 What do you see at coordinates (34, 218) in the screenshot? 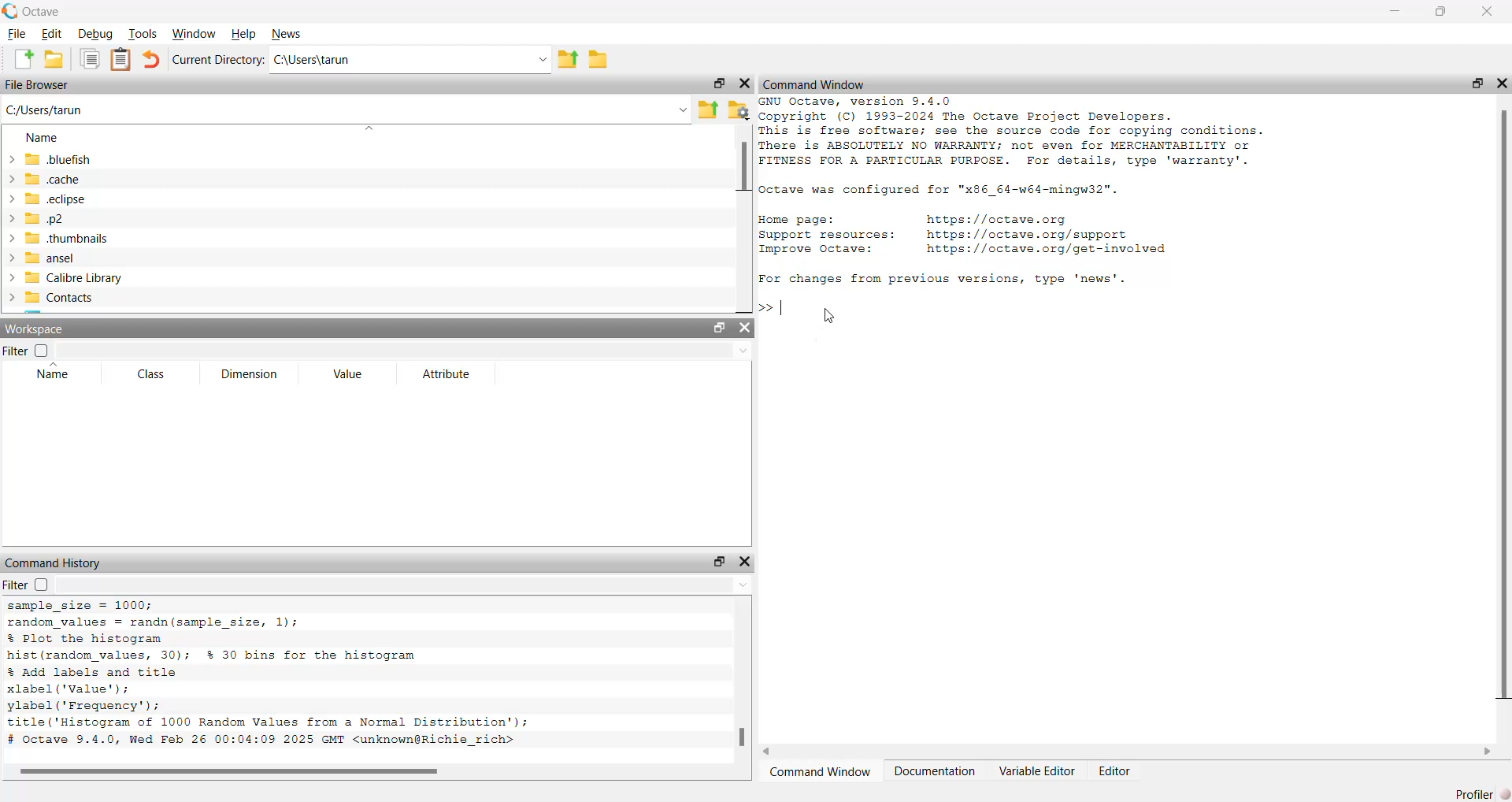
I see `.p2` at bounding box center [34, 218].